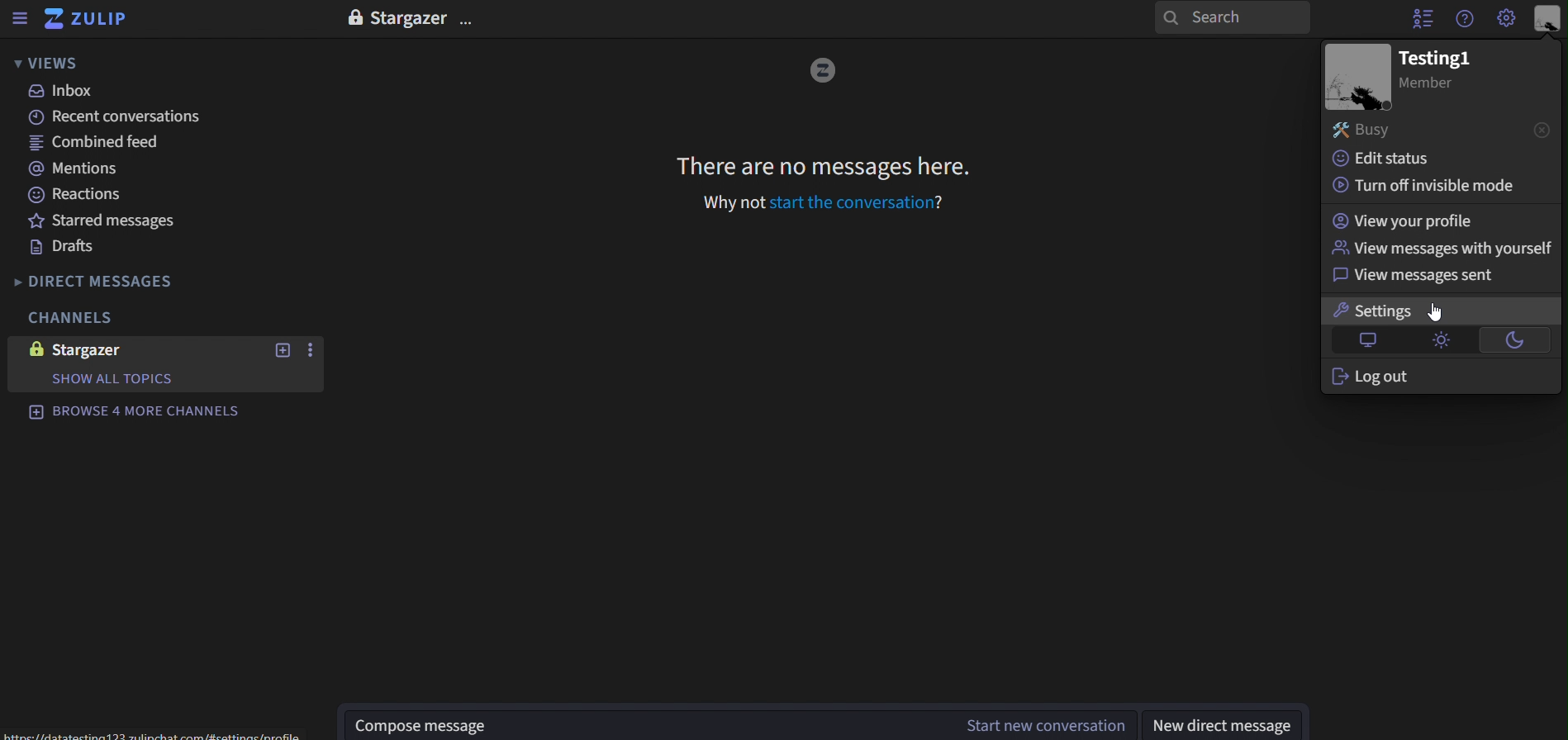  What do you see at coordinates (76, 196) in the screenshot?
I see `reactions` at bounding box center [76, 196].